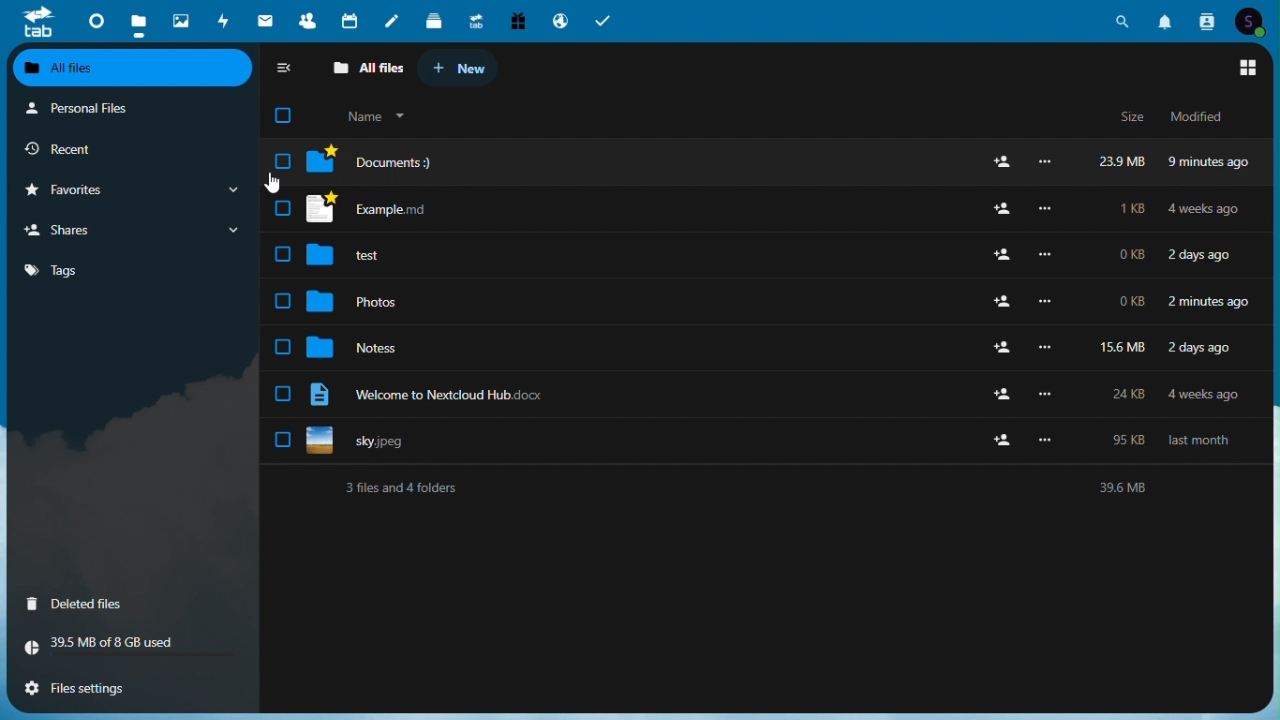  What do you see at coordinates (603, 19) in the screenshot?
I see `tasks` at bounding box center [603, 19].